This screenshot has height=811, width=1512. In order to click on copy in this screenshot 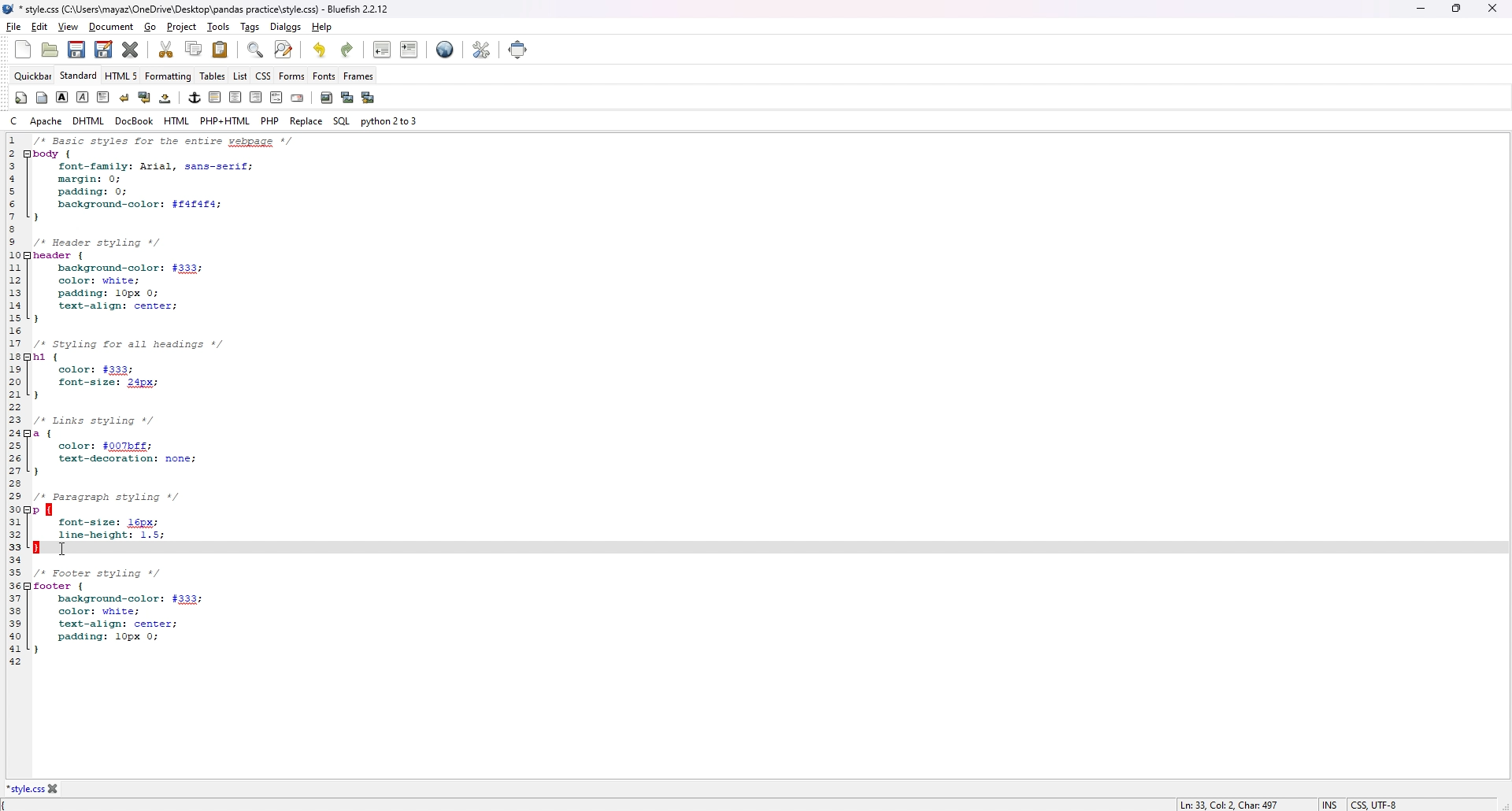, I will do `click(194, 48)`.